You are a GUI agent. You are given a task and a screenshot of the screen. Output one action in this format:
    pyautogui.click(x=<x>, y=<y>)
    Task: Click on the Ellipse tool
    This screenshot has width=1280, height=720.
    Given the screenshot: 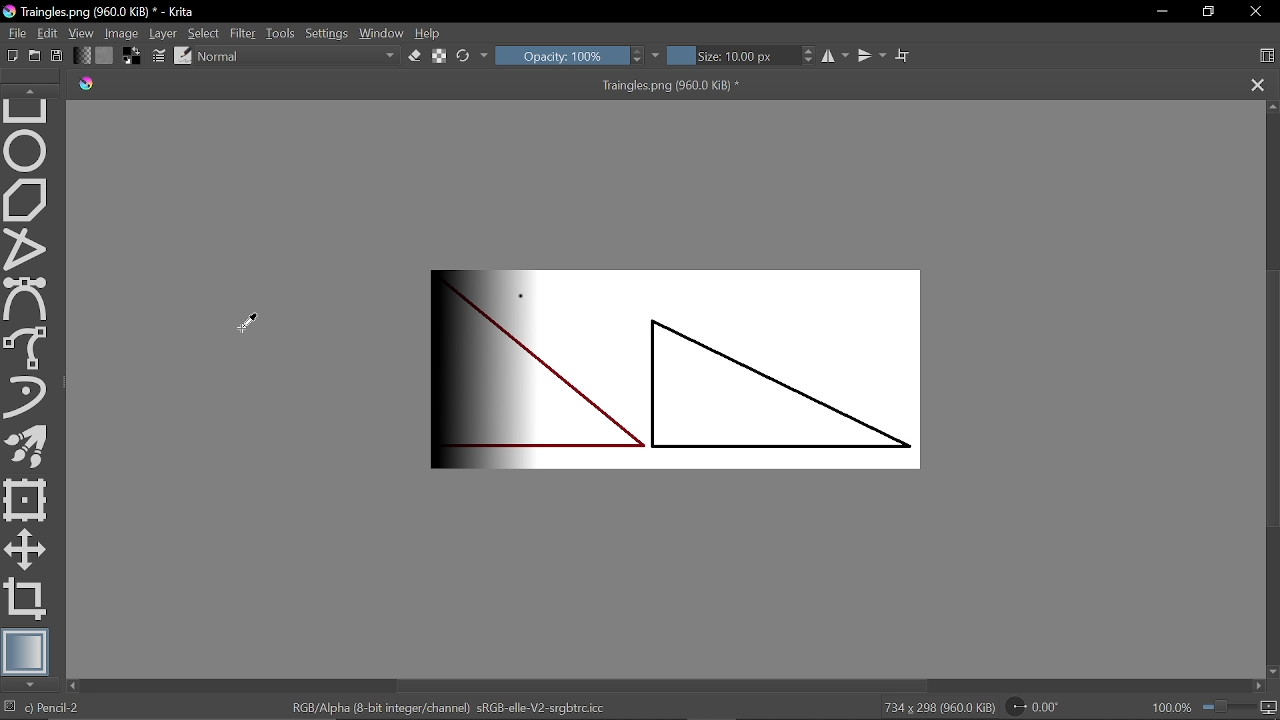 What is the action you would take?
    pyautogui.click(x=26, y=151)
    